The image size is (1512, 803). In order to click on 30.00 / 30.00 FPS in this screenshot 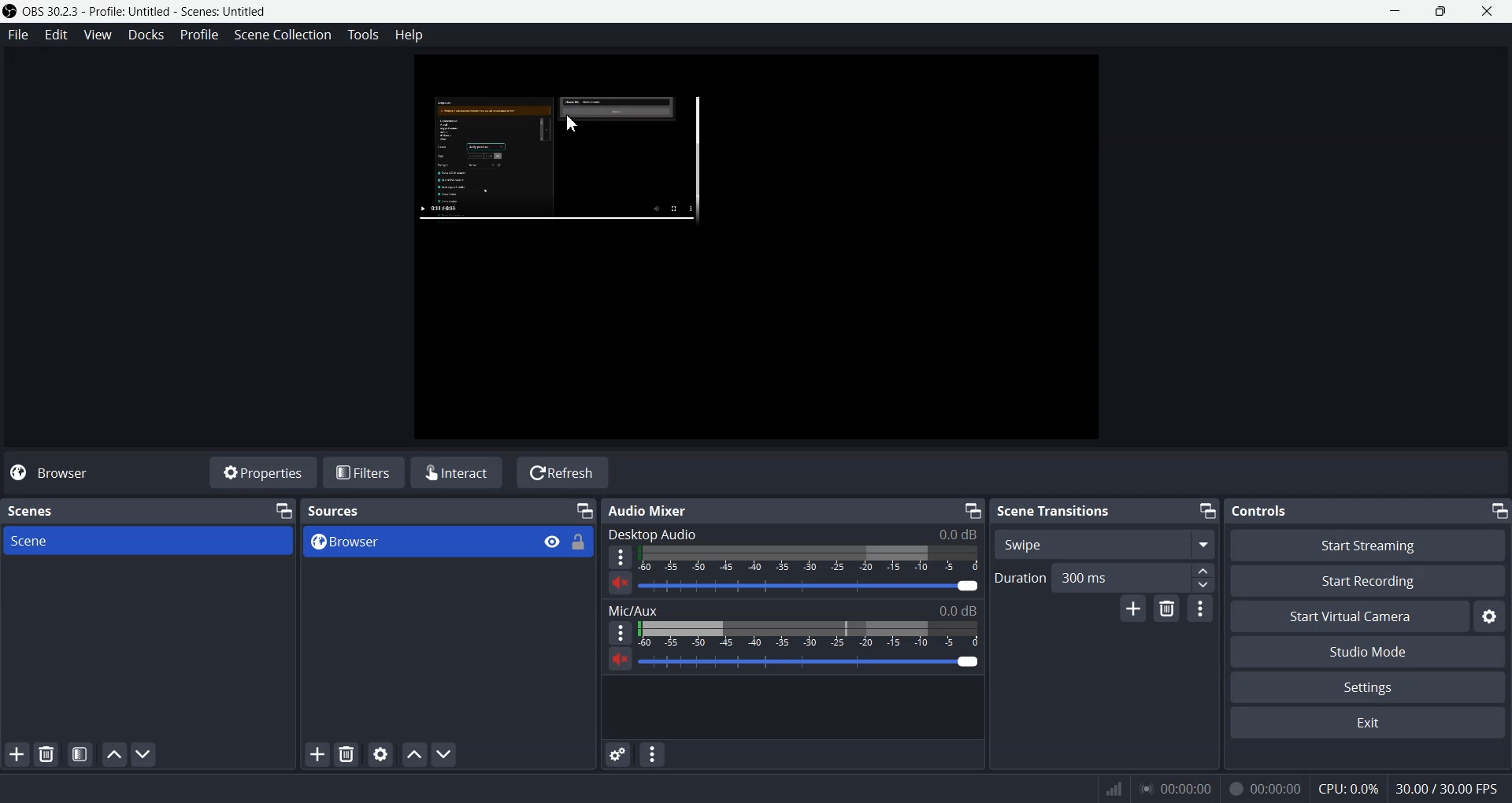, I will do `click(1447, 787)`.